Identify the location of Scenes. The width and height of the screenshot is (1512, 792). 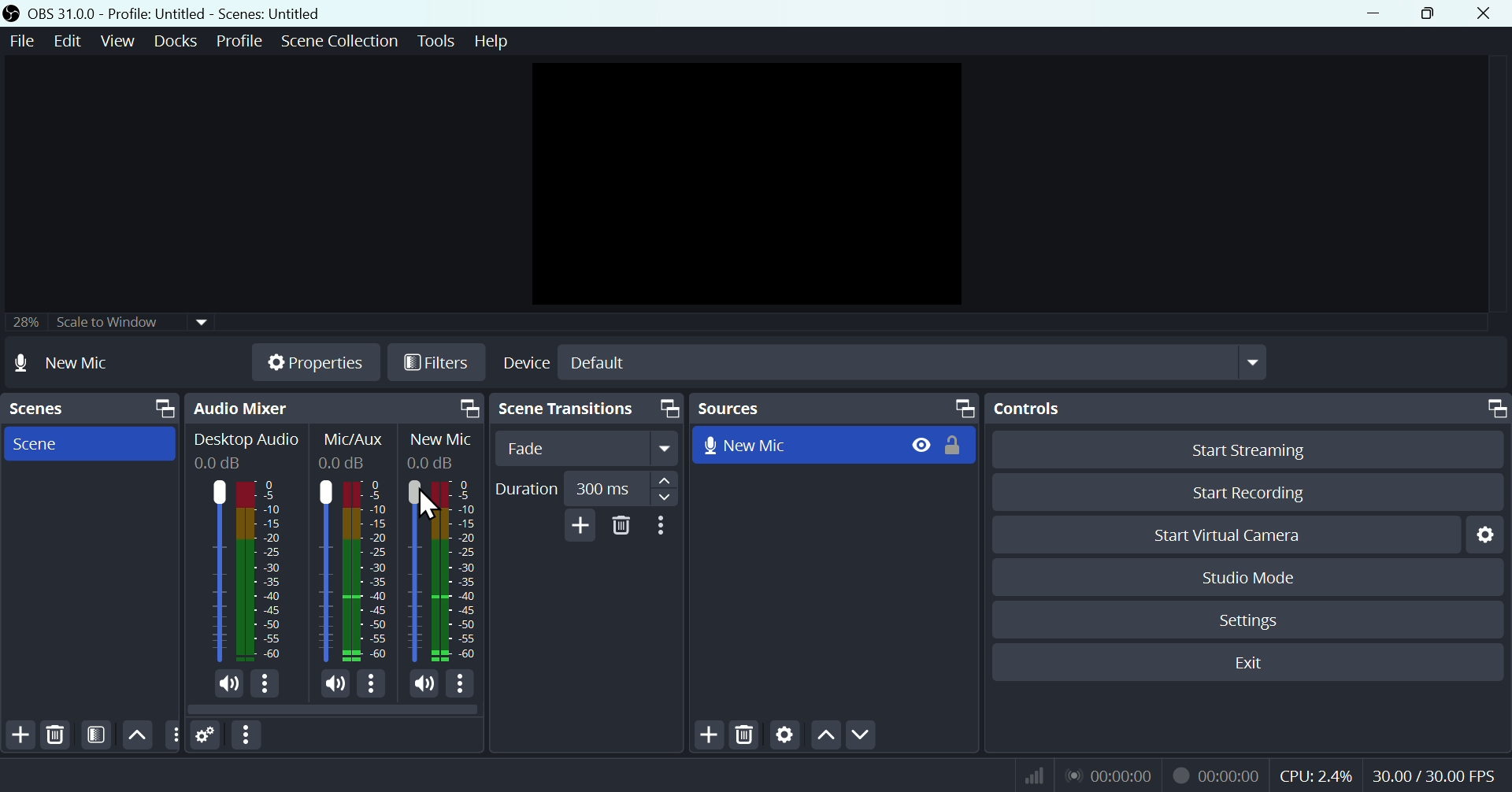
(89, 409).